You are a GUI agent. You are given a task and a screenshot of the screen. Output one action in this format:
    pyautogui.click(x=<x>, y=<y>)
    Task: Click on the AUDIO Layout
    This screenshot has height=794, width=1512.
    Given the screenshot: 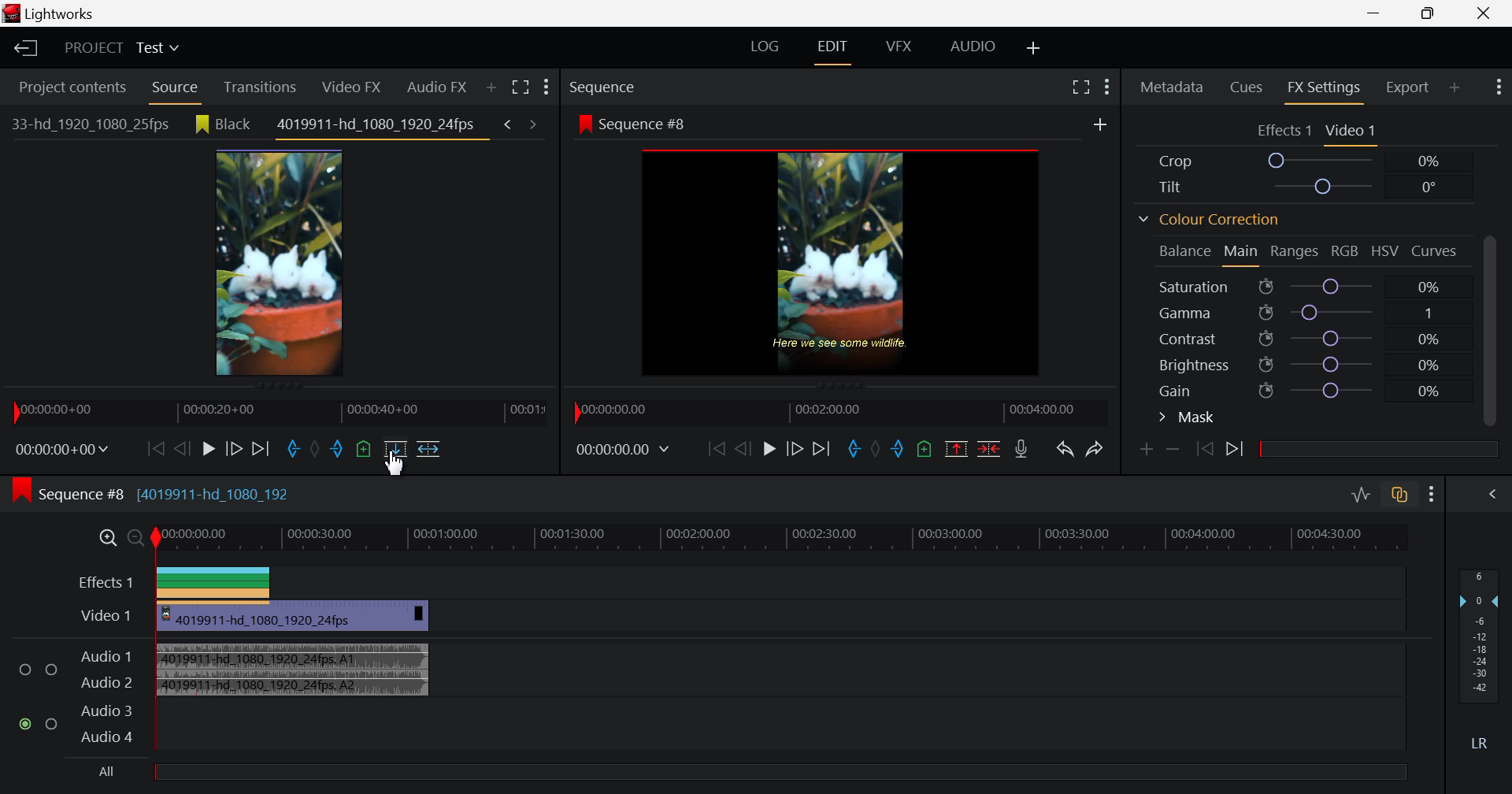 What is the action you would take?
    pyautogui.click(x=972, y=48)
    